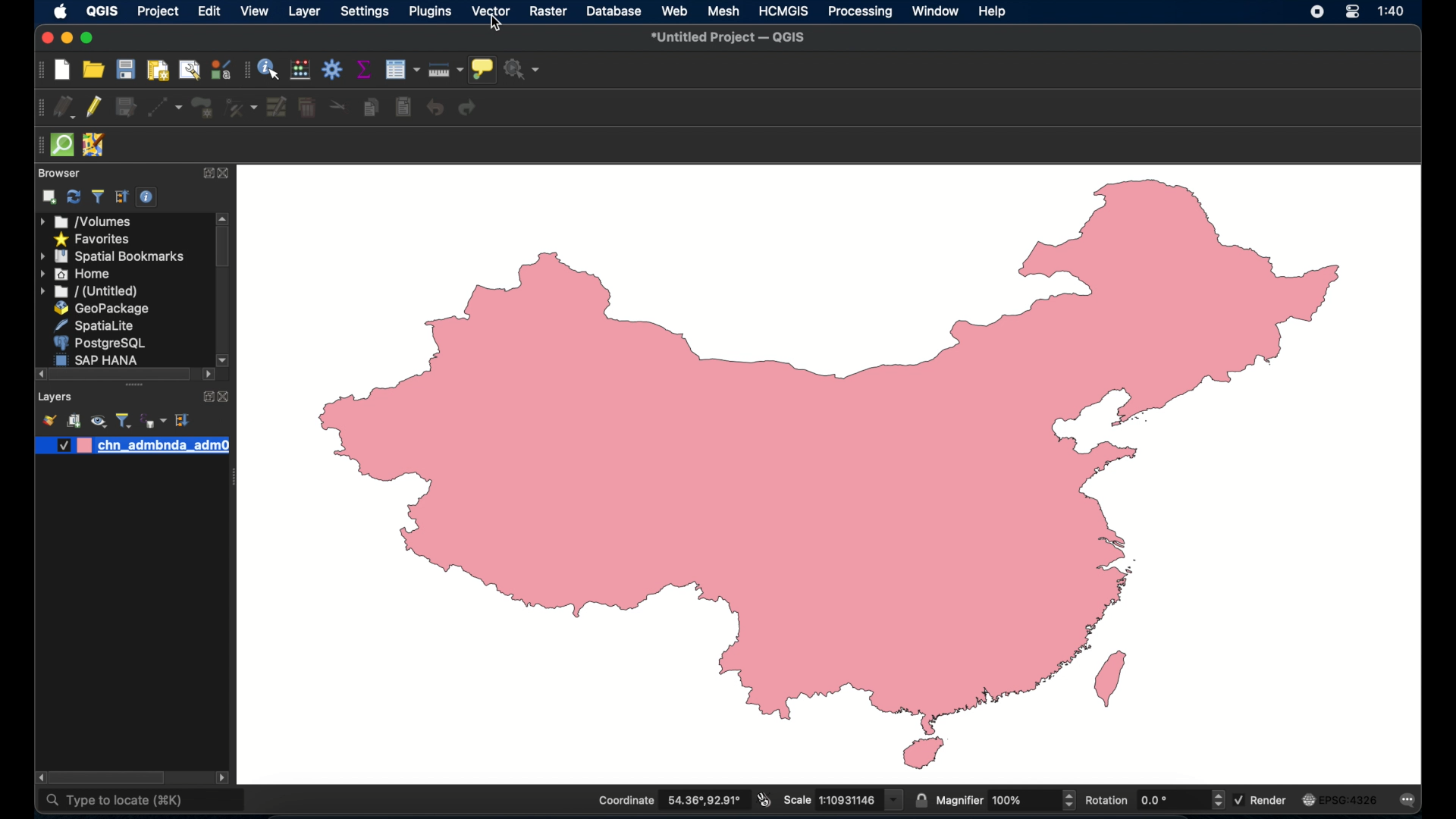 This screenshot has width=1456, height=819. What do you see at coordinates (494, 26) in the screenshot?
I see `cursor` at bounding box center [494, 26].